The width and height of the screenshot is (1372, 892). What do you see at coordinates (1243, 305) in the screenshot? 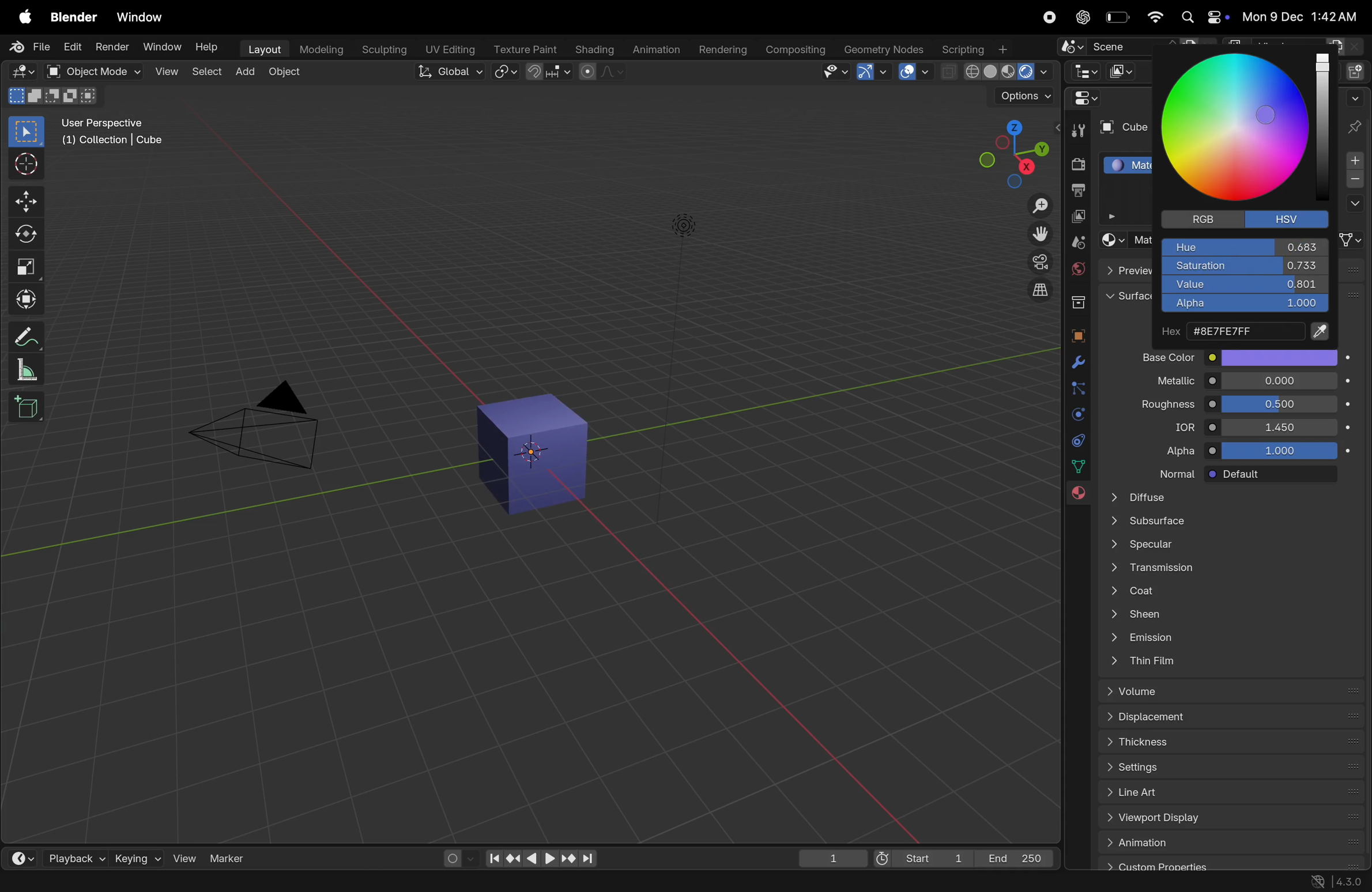
I see `Alpha` at bounding box center [1243, 305].